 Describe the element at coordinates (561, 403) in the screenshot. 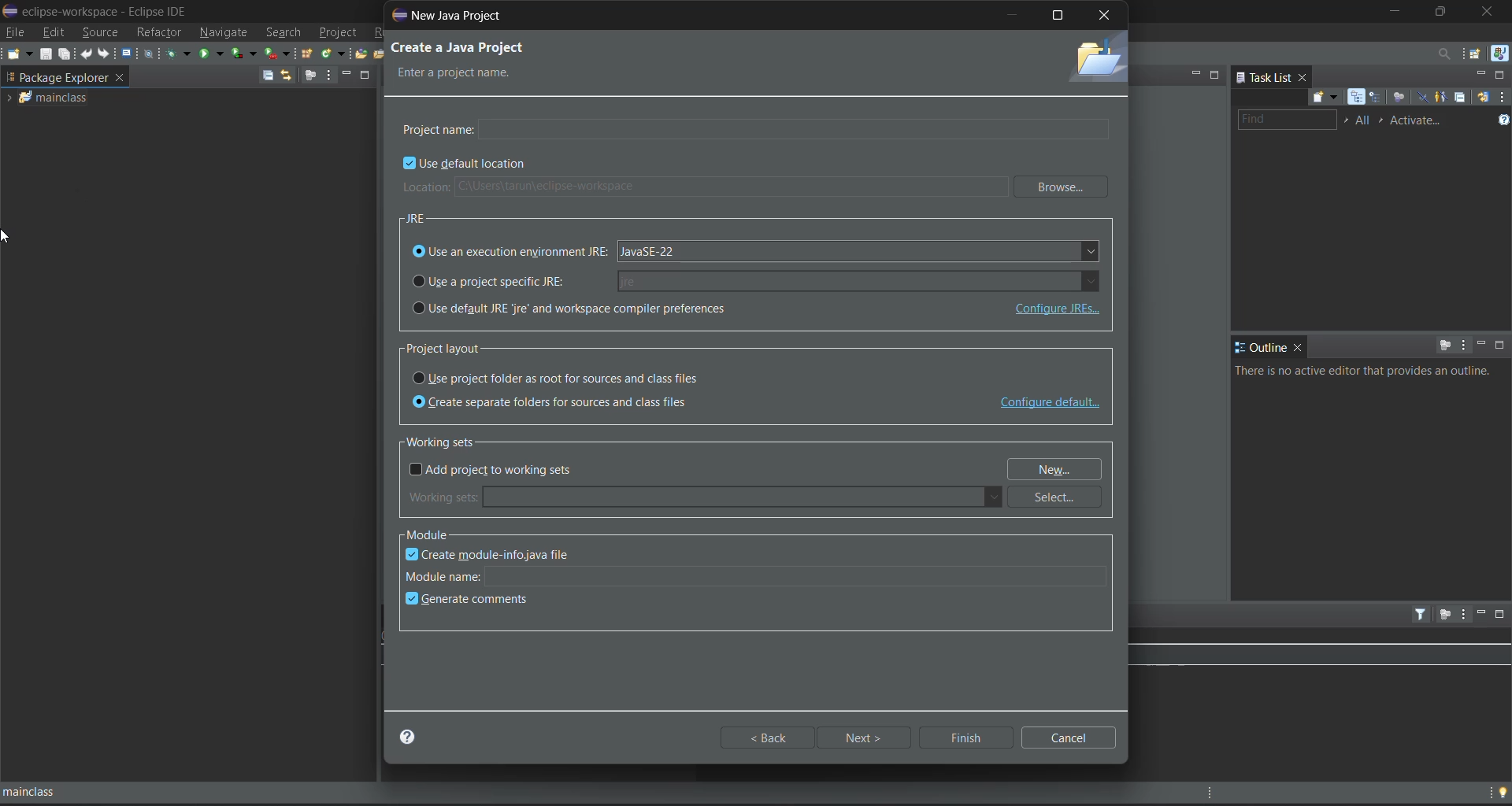

I see `create separate folders` at that location.